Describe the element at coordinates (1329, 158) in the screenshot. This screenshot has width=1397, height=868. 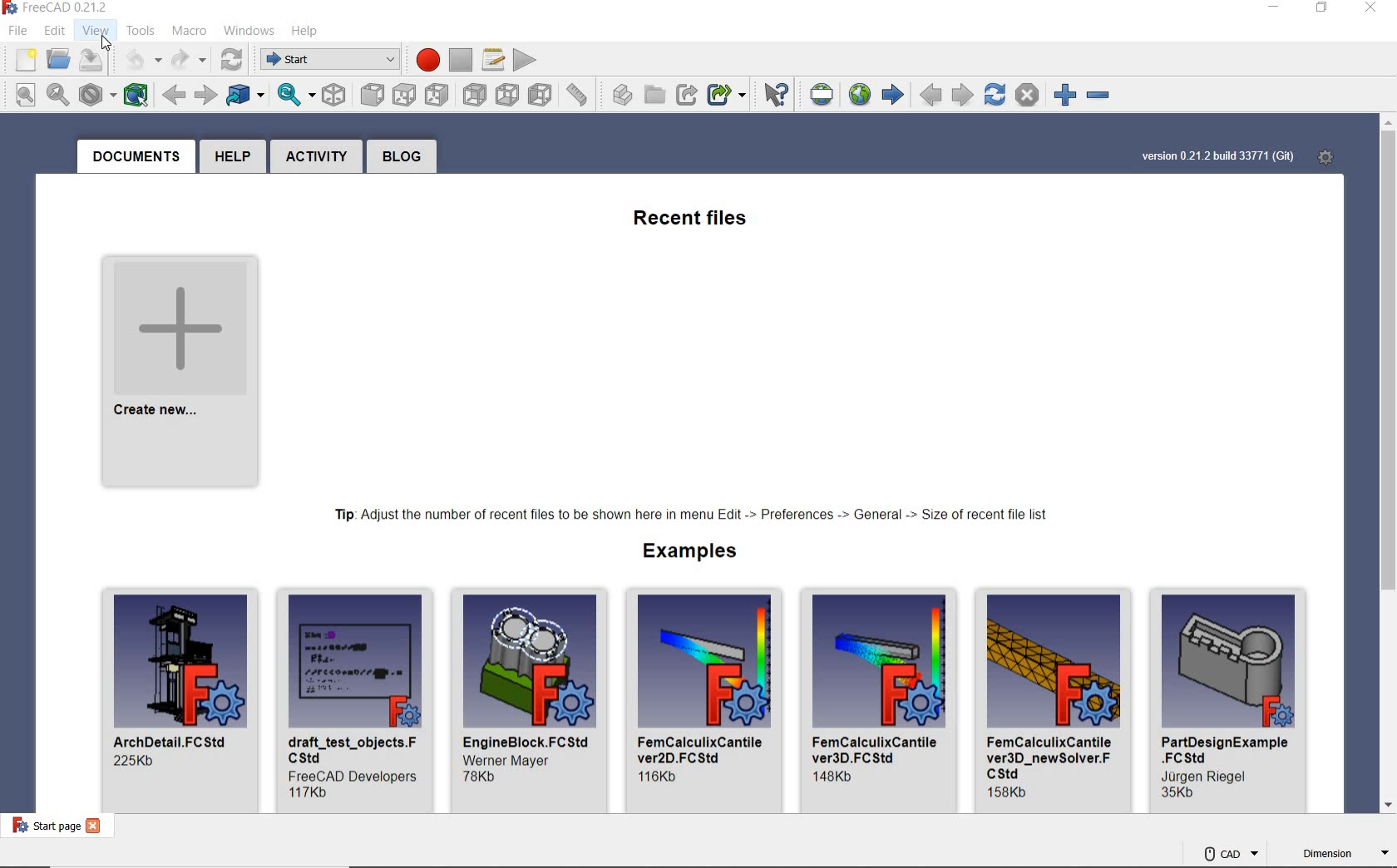
I see `start page preferences` at that location.